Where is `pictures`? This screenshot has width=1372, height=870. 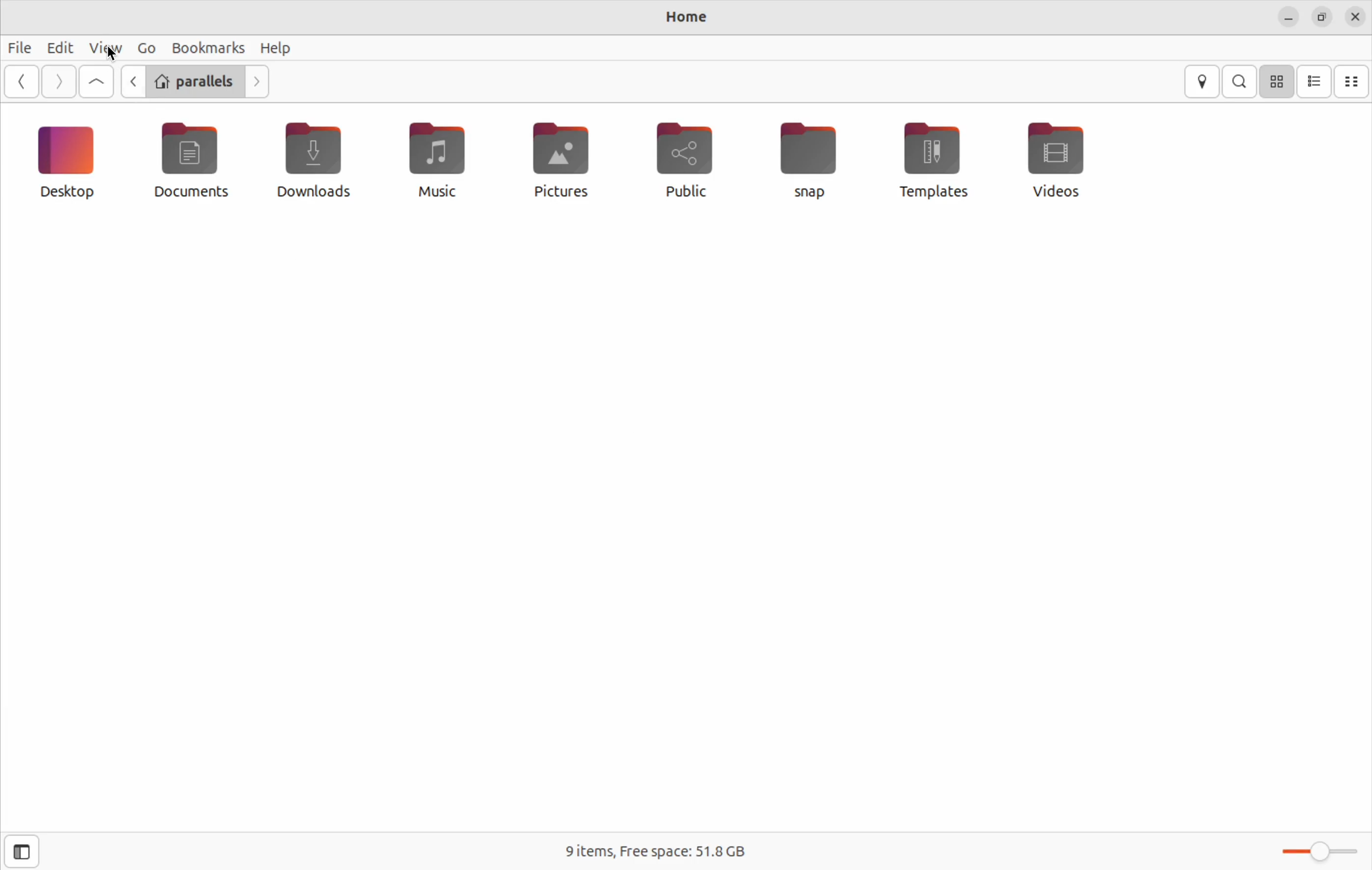
pictures is located at coordinates (558, 161).